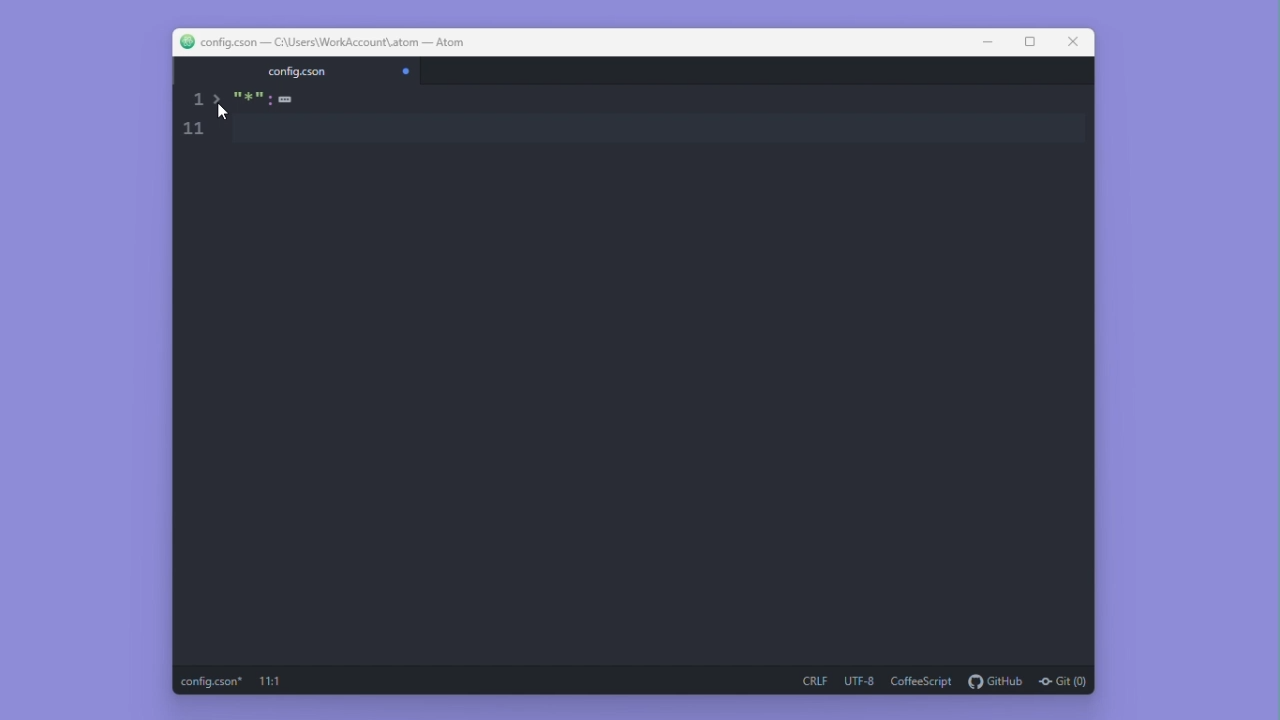 This screenshot has height=720, width=1280. Describe the element at coordinates (295, 71) in the screenshot. I see `config.cson` at that location.